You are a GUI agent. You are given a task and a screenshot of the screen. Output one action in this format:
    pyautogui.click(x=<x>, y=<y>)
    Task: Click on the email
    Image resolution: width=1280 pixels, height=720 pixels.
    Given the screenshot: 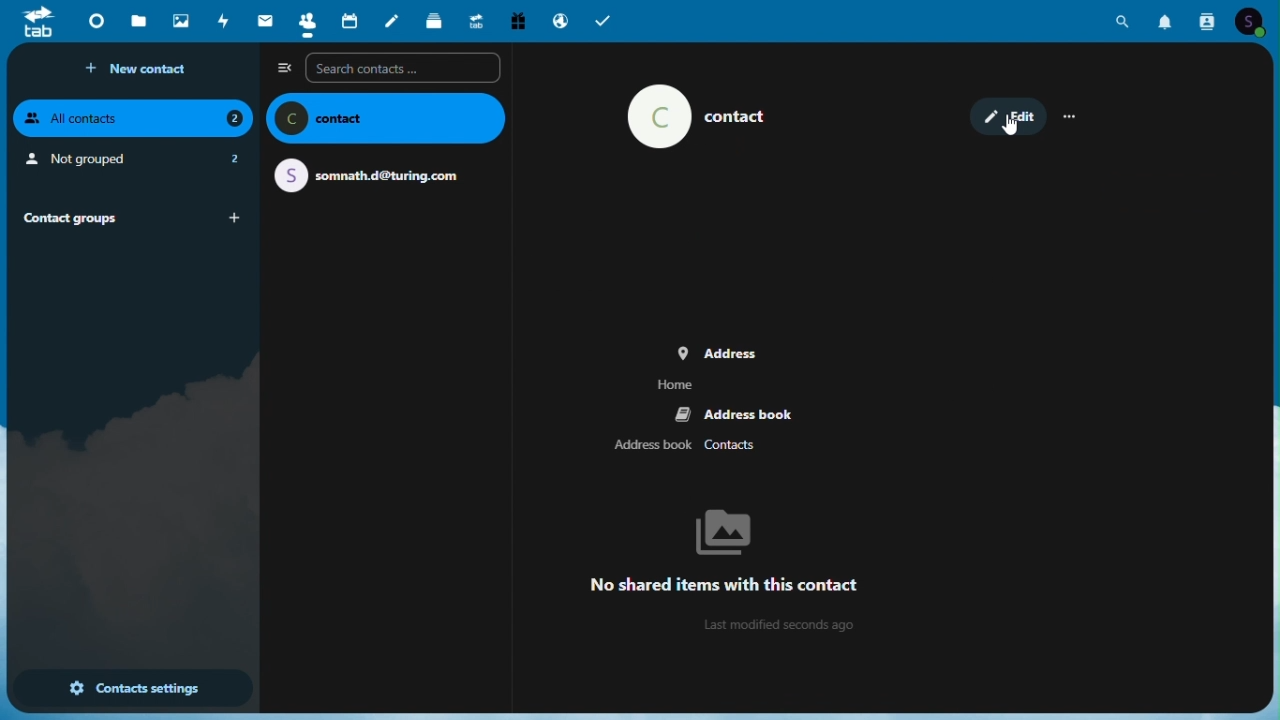 What is the action you would take?
    pyautogui.click(x=375, y=174)
    